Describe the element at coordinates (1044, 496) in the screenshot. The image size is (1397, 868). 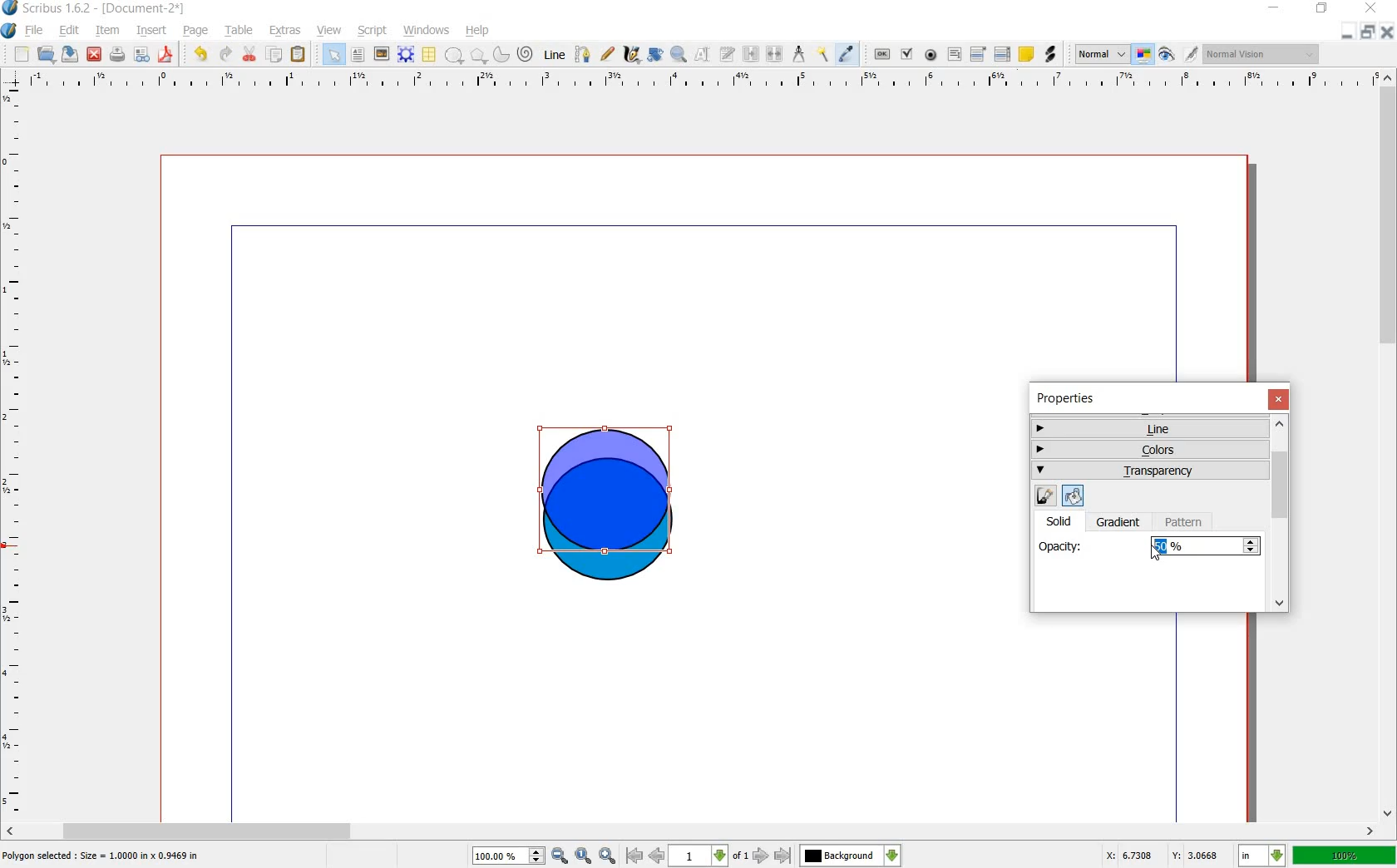
I see `edit line color properties` at that location.